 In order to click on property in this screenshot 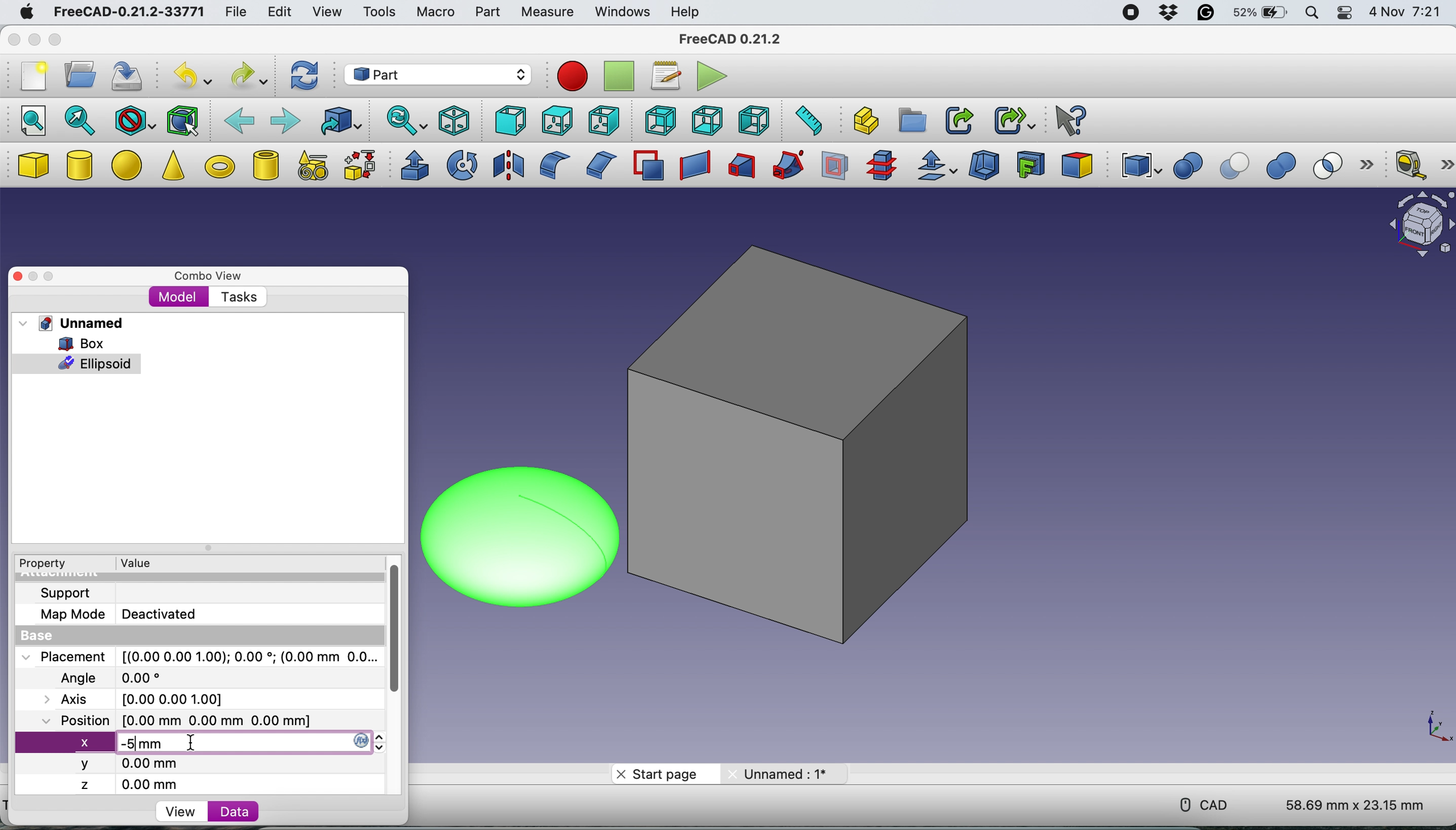, I will do `click(41, 564)`.